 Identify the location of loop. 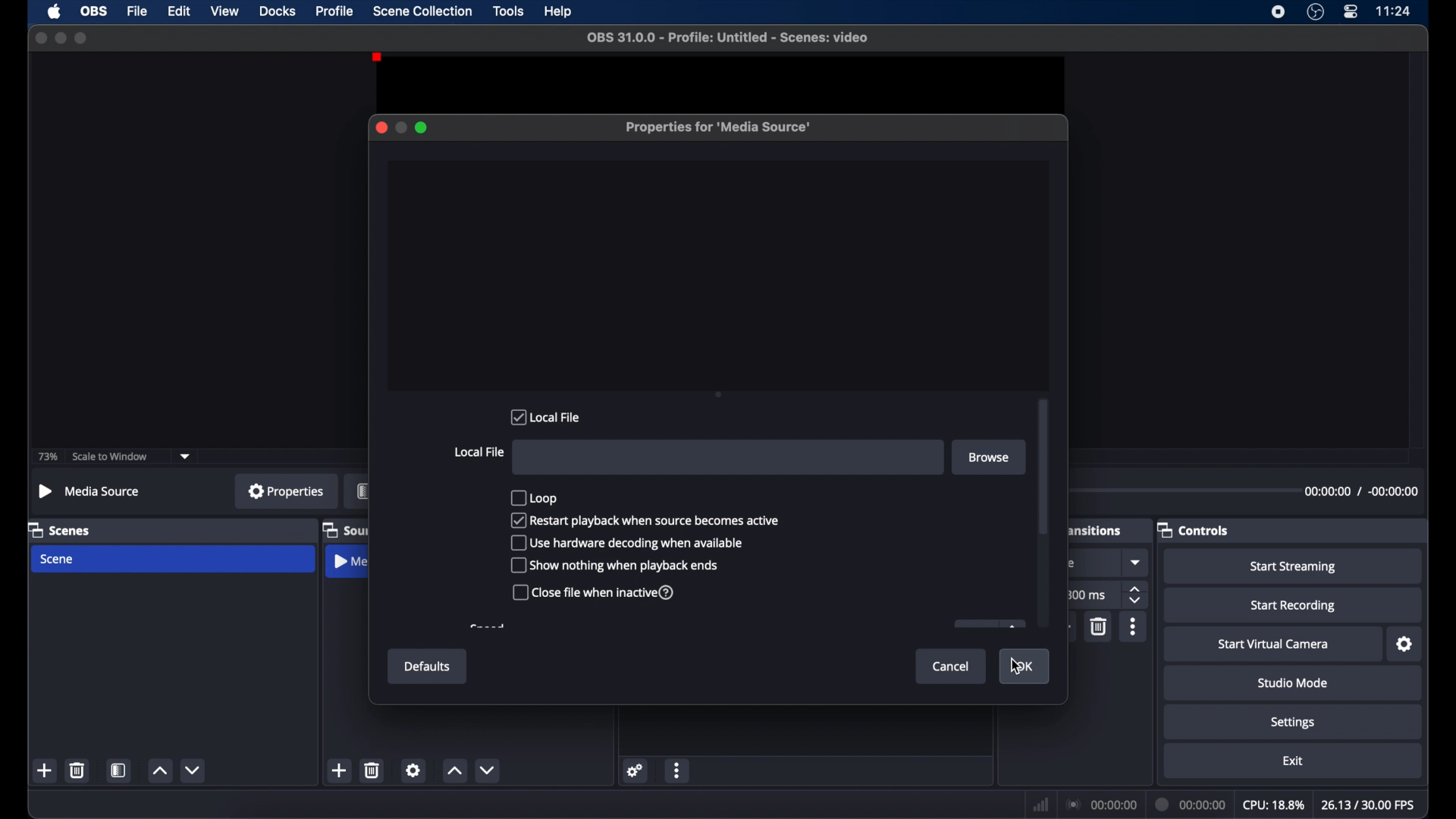
(533, 497).